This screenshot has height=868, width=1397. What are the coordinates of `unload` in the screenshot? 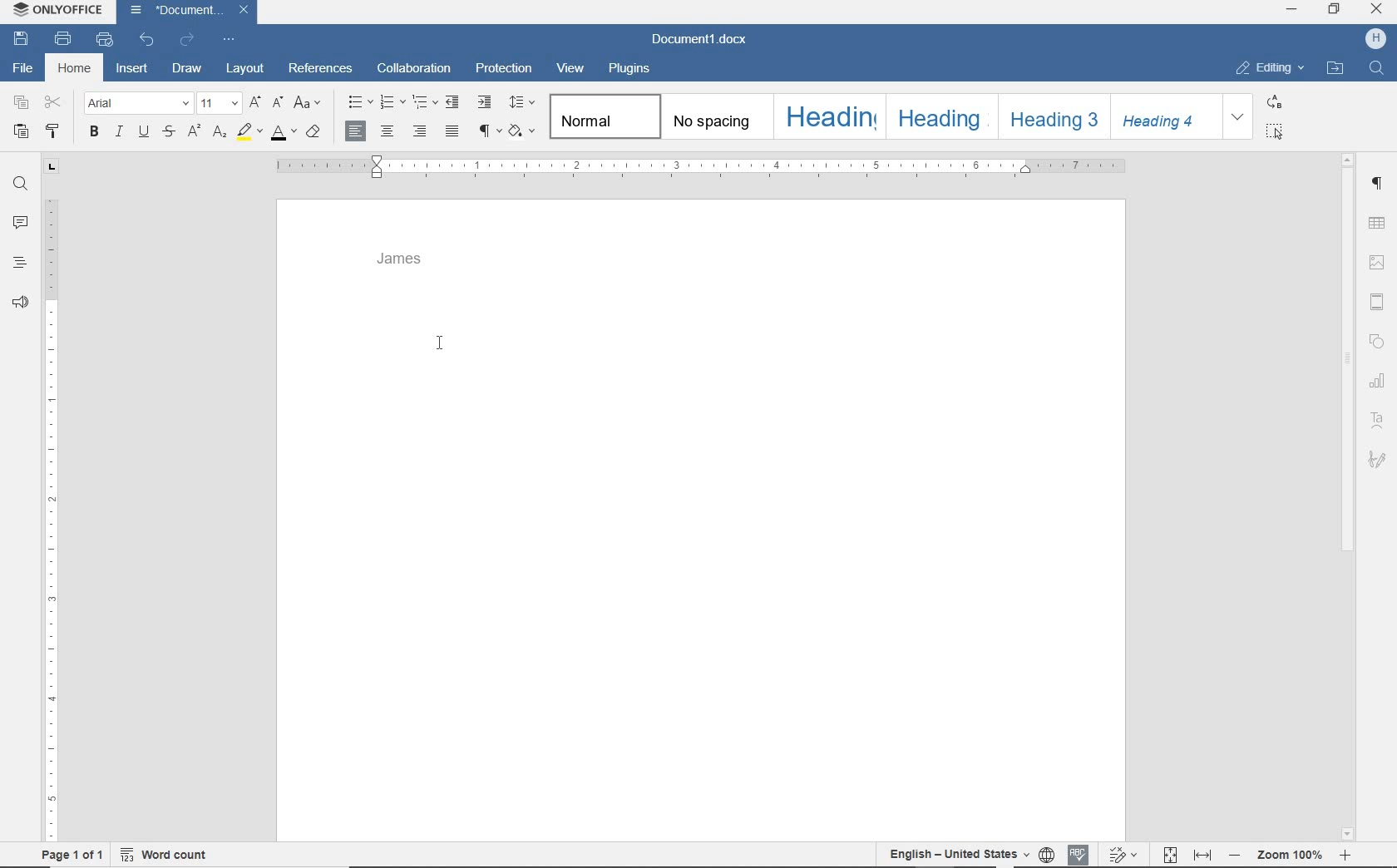 It's located at (147, 38).